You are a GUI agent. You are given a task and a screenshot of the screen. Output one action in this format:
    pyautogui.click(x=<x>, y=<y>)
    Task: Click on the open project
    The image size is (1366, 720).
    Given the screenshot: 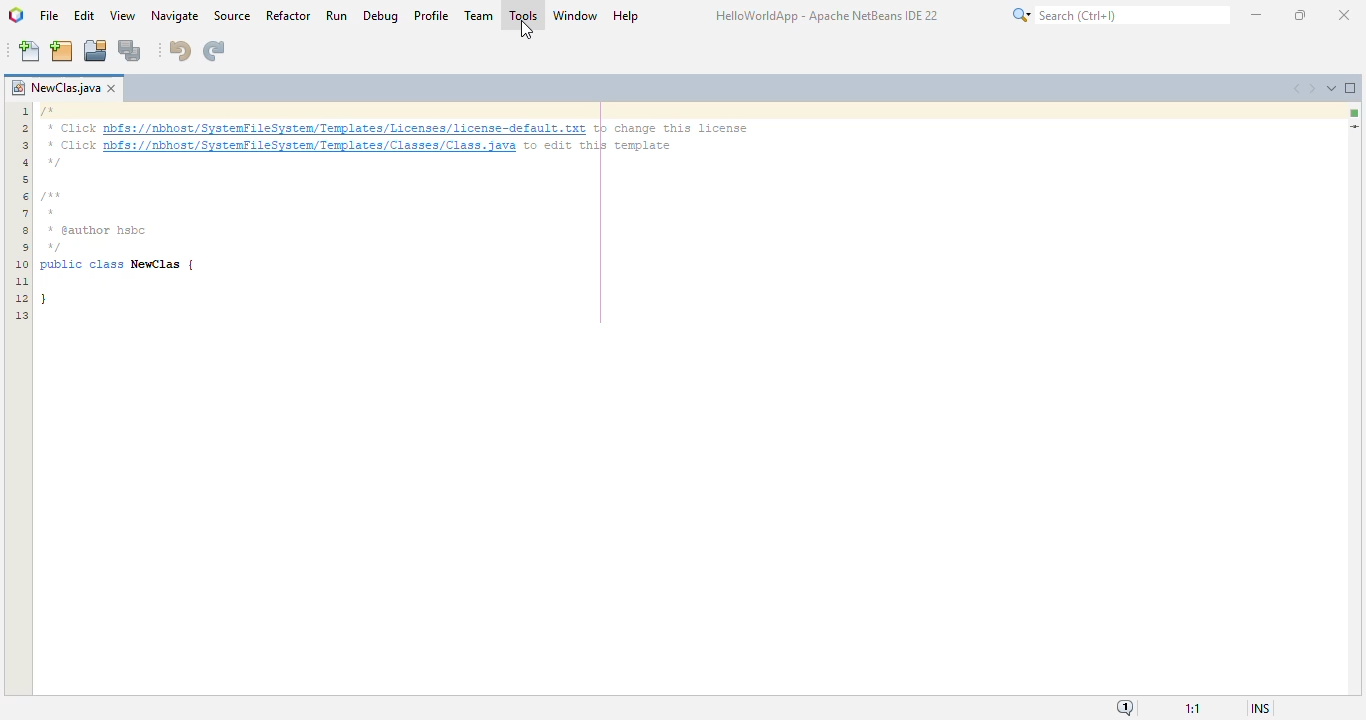 What is the action you would take?
    pyautogui.click(x=95, y=49)
    